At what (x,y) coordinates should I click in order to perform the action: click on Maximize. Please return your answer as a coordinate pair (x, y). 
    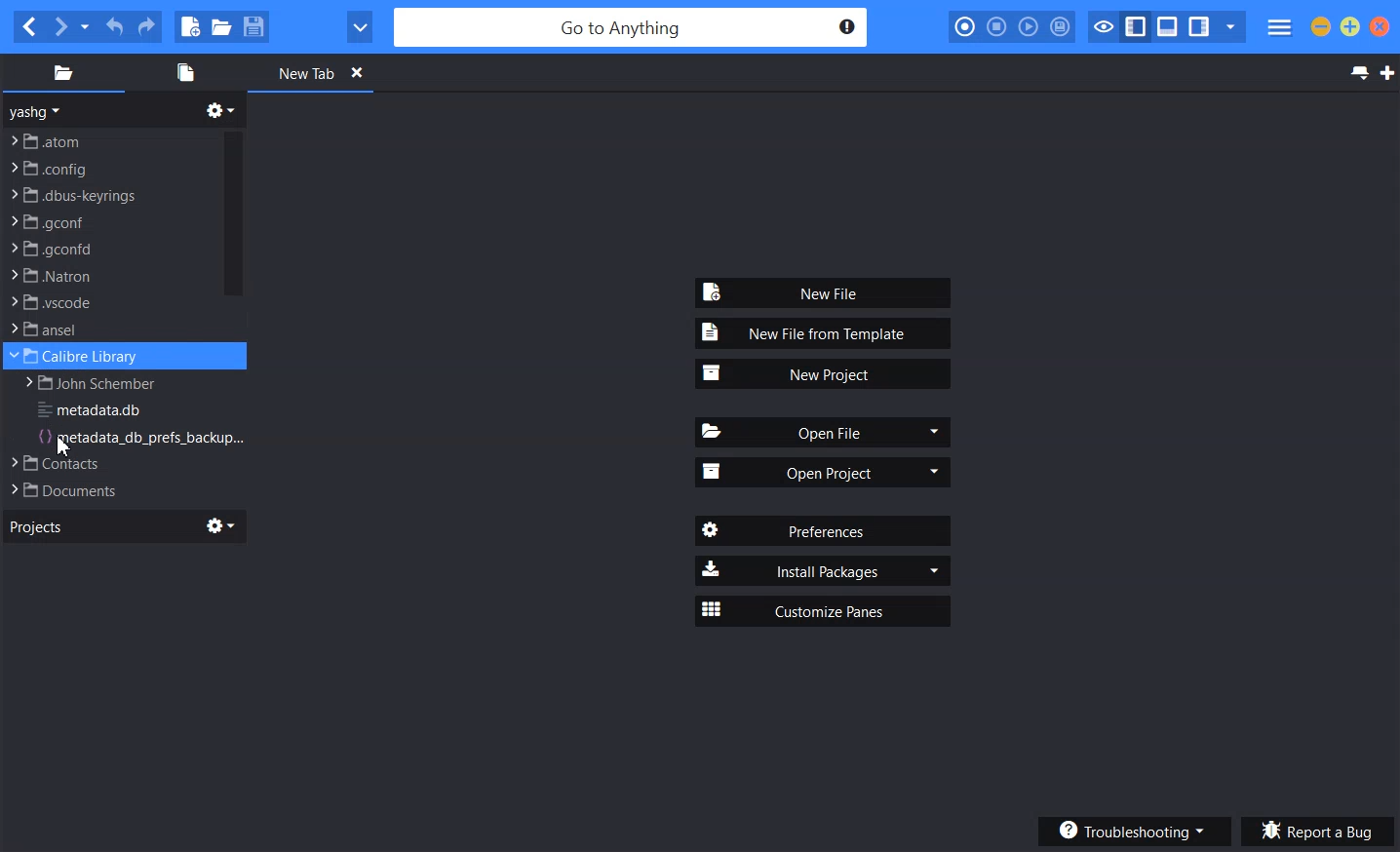
    Looking at the image, I should click on (1350, 26).